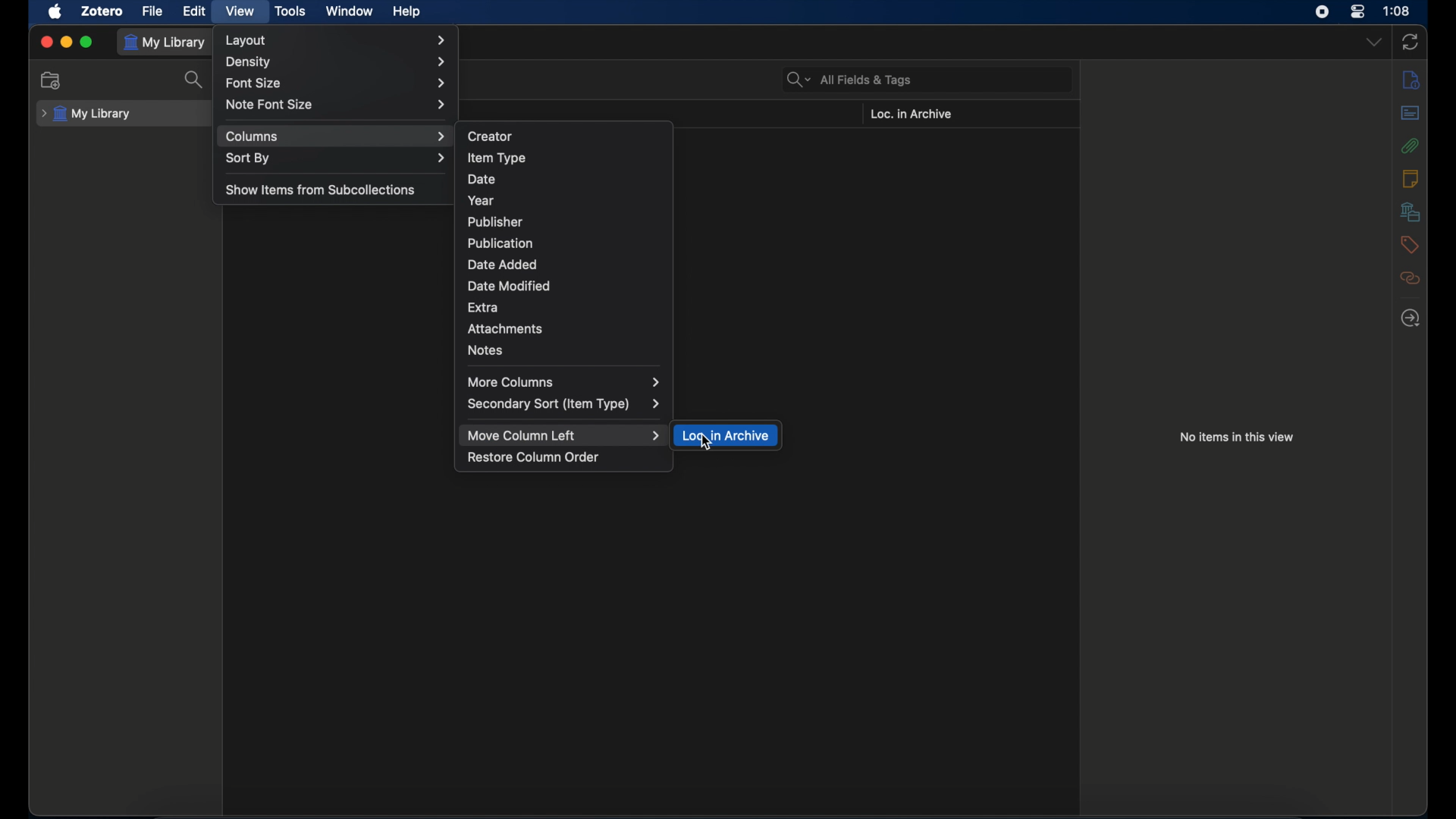 The width and height of the screenshot is (1456, 819). Describe the element at coordinates (291, 12) in the screenshot. I see `tools` at that location.